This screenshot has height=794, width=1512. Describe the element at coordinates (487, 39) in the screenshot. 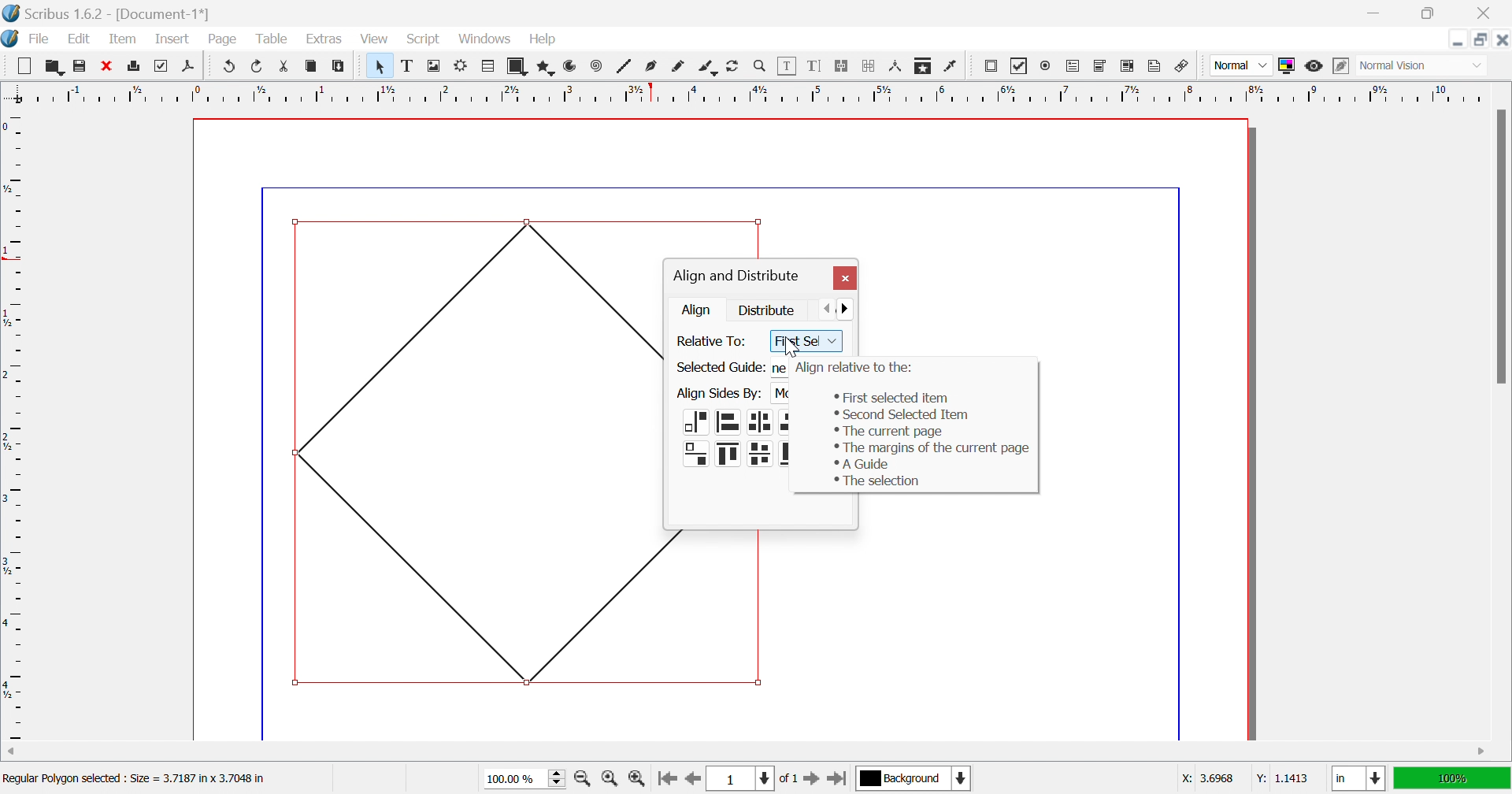

I see `Windows` at that location.